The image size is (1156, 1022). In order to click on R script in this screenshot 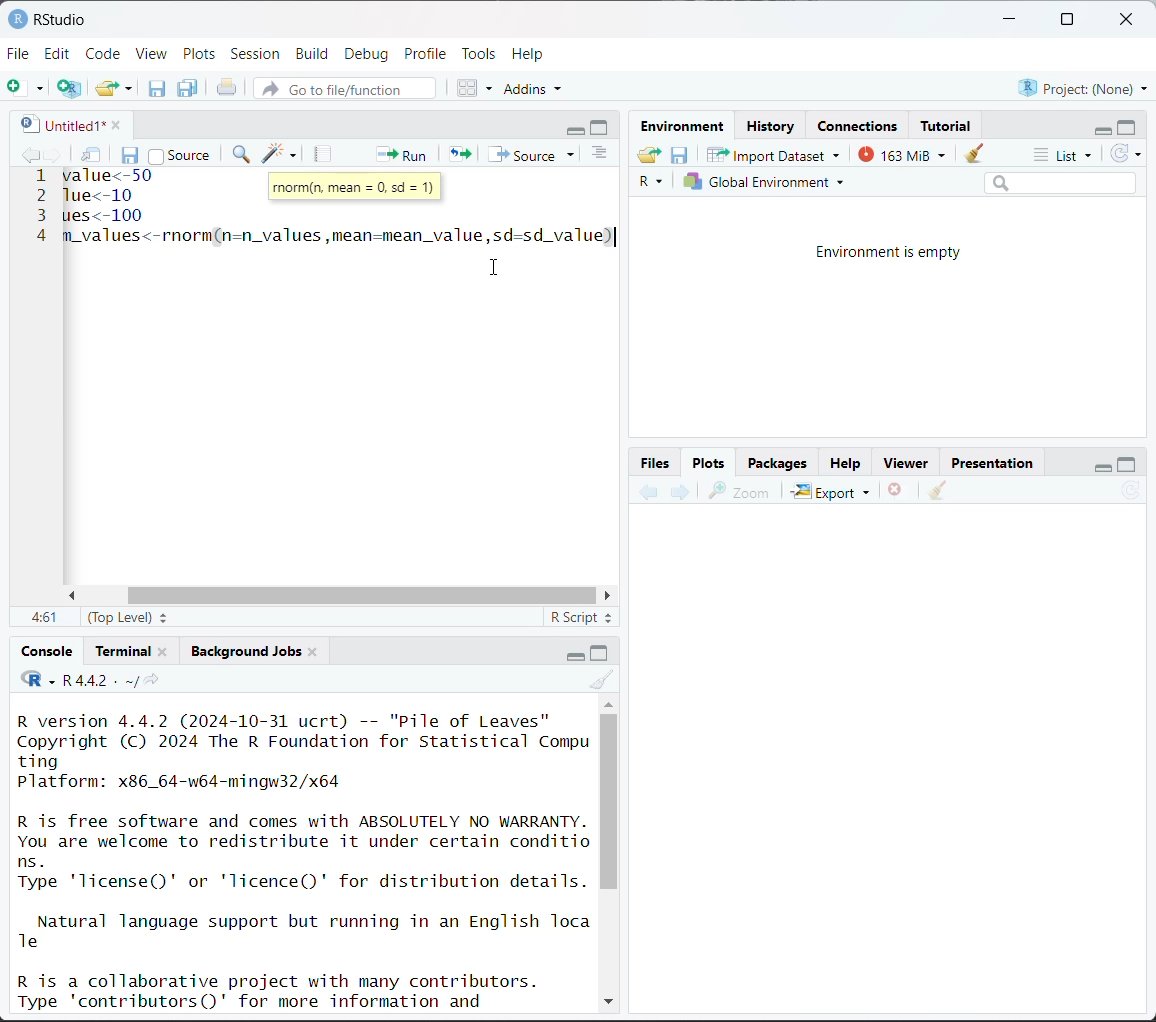, I will do `click(582, 620)`.